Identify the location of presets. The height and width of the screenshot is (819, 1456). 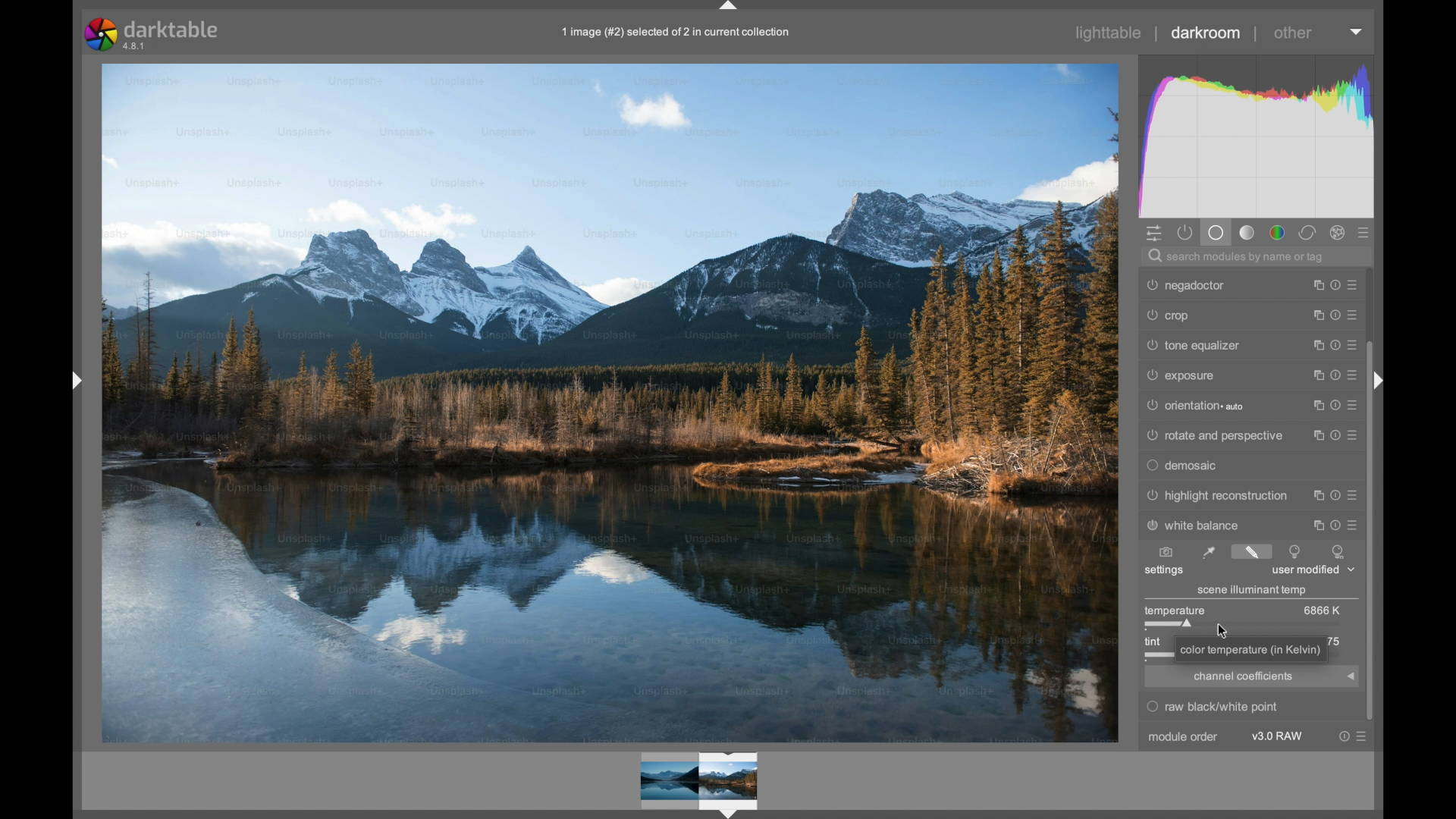
(1357, 372).